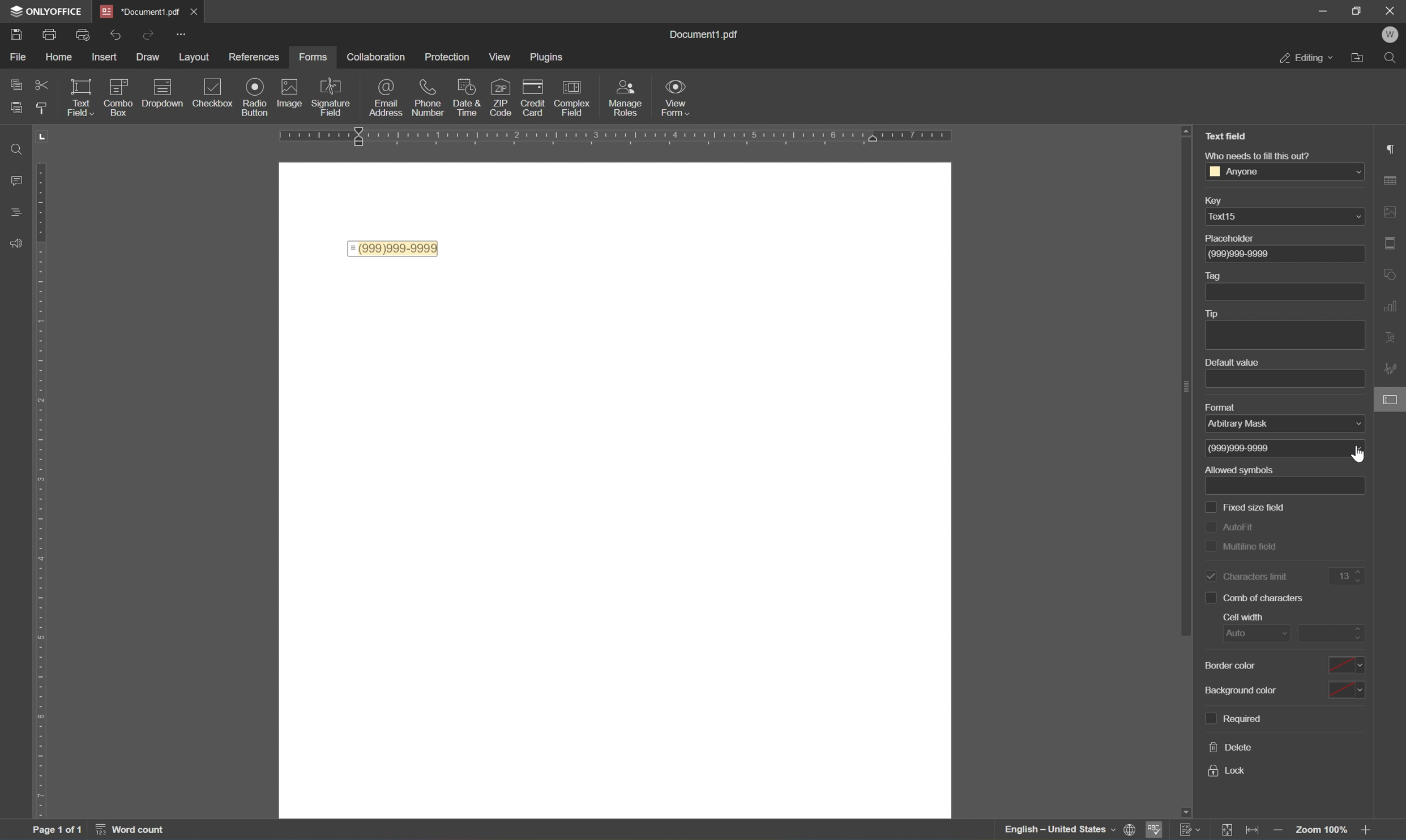 The image size is (1406, 840). I want to click on text field, so click(82, 100).